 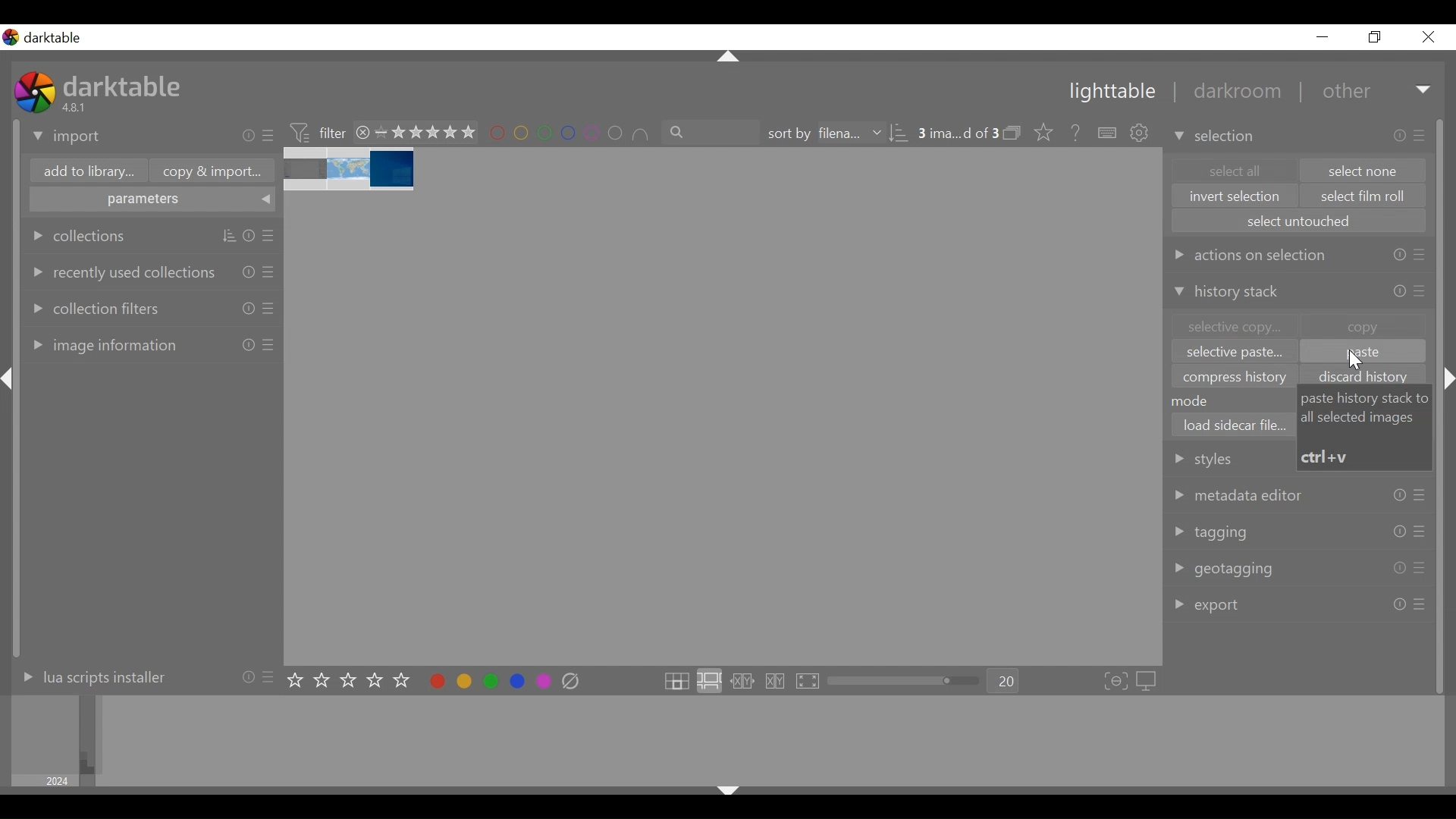 I want to click on toggle color label, so click(x=486, y=680).